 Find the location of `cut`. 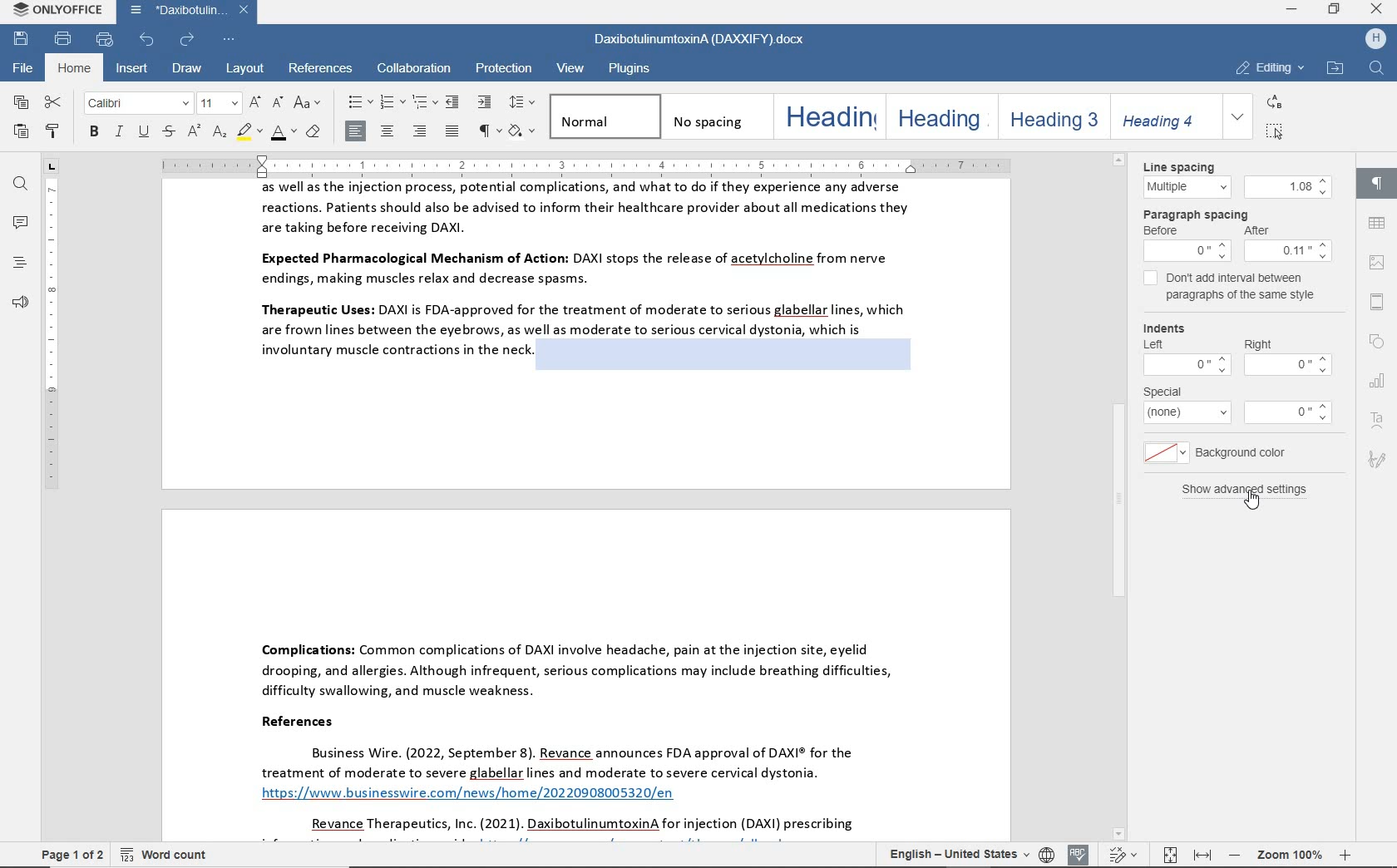

cut is located at coordinates (53, 103).